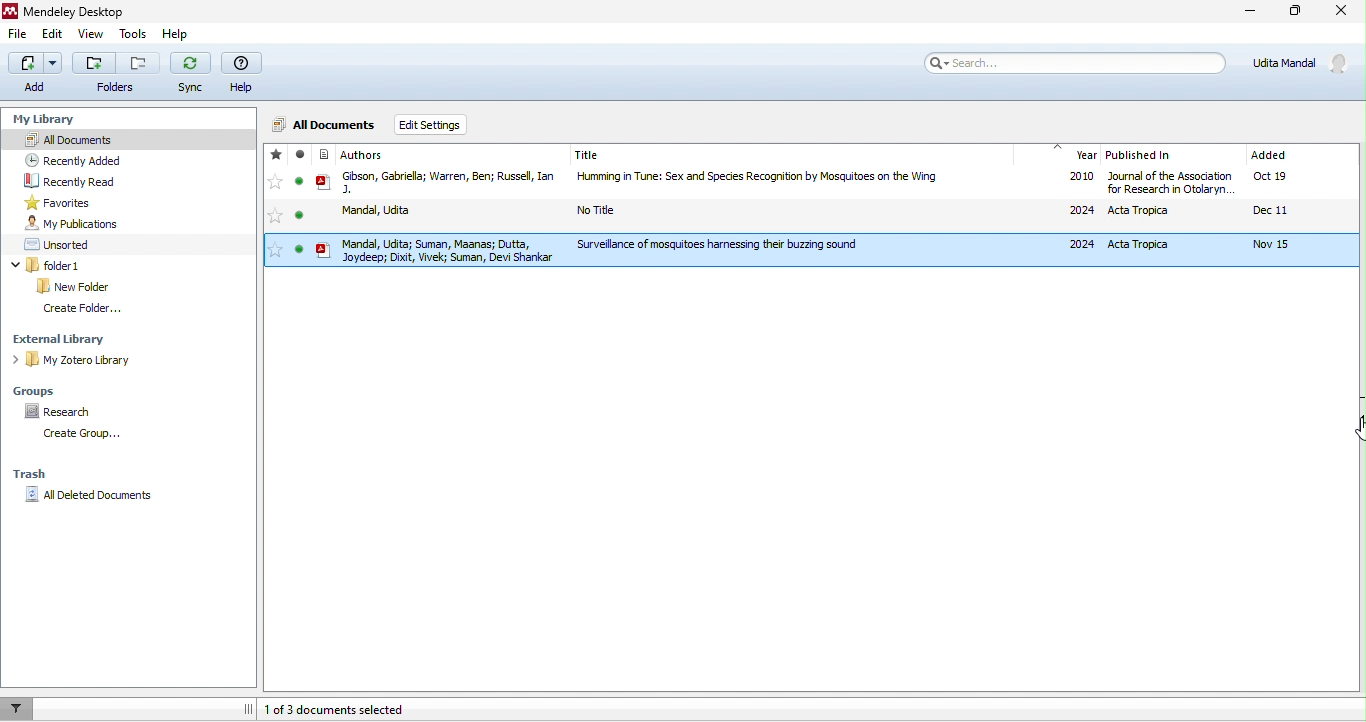 The width and height of the screenshot is (1366, 722). Describe the element at coordinates (326, 124) in the screenshot. I see `all documents` at that location.